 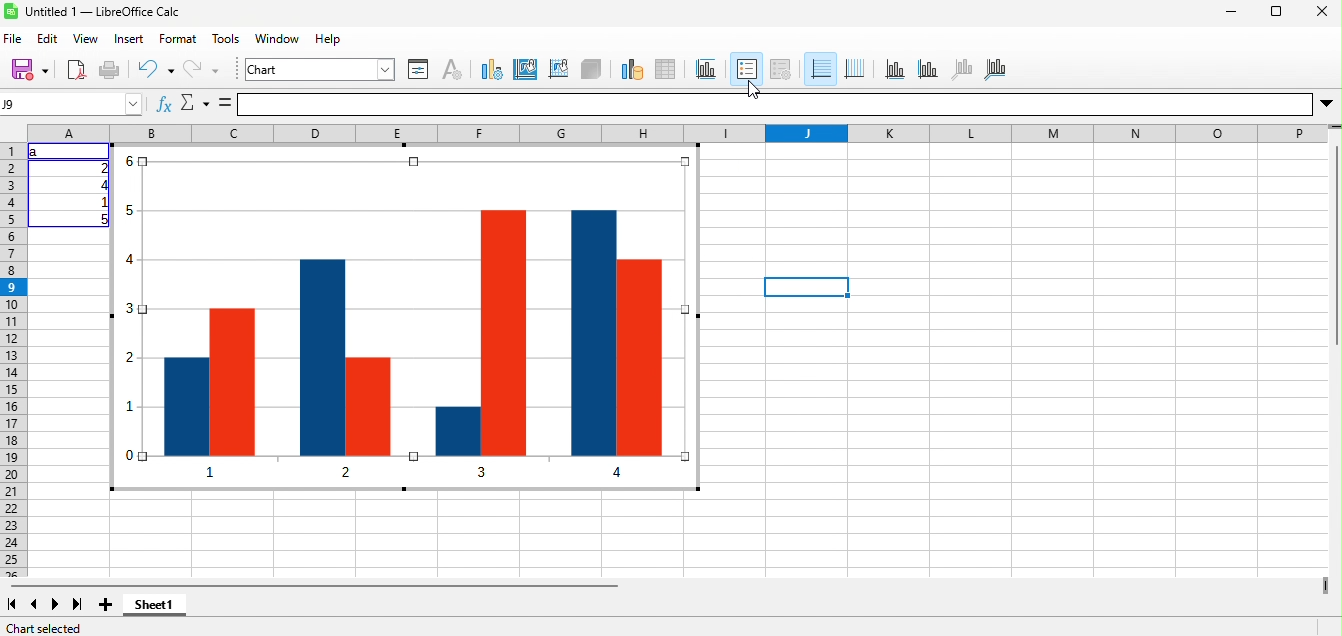 What do you see at coordinates (34, 605) in the screenshot?
I see `previous sheet` at bounding box center [34, 605].